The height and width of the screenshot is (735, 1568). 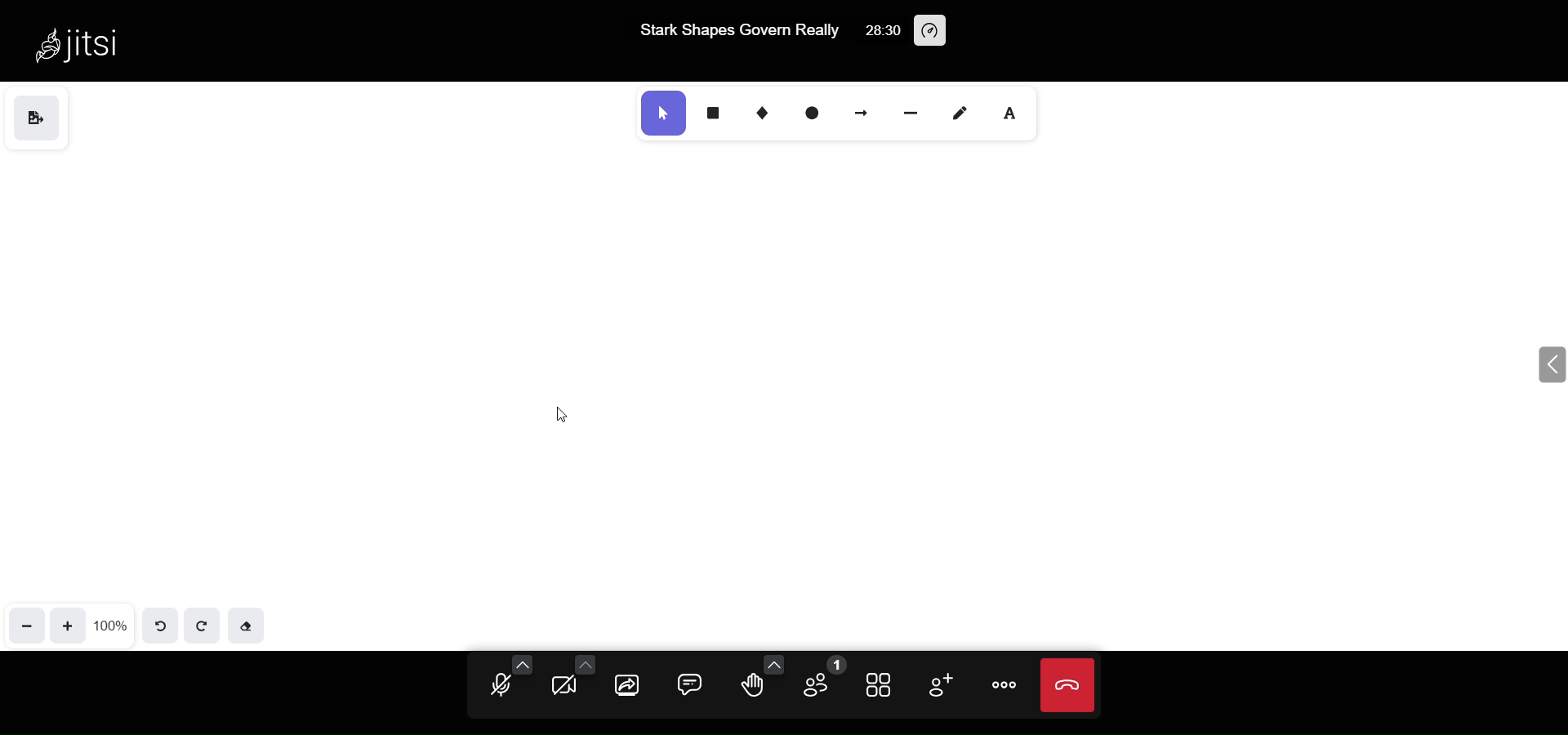 What do you see at coordinates (35, 118) in the screenshot?
I see `save as image` at bounding box center [35, 118].